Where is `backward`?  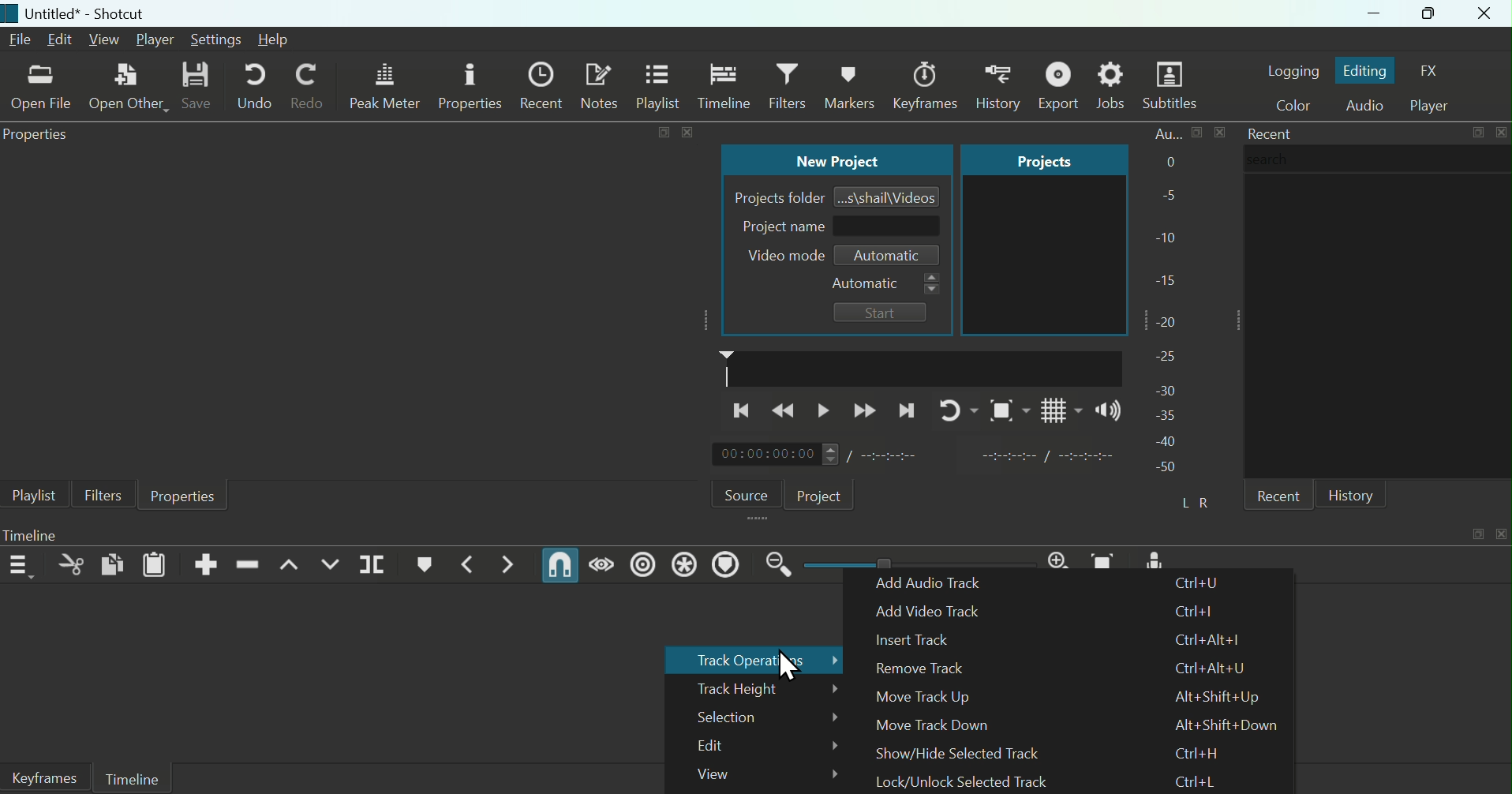 backward is located at coordinates (788, 412).